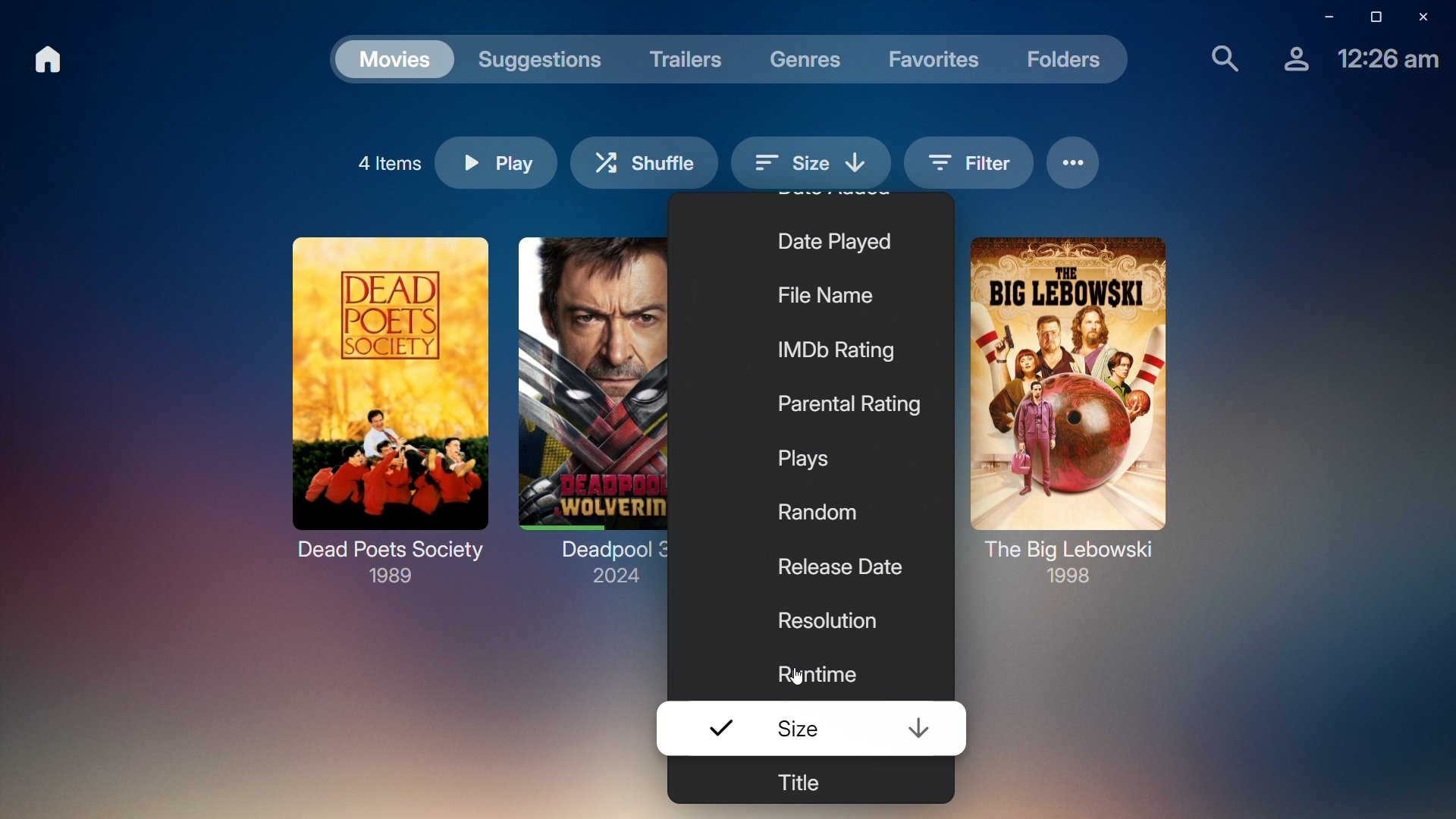 Image resolution: width=1456 pixels, height=819 pixels. I want to click on Suggestions, so click(544, 57).